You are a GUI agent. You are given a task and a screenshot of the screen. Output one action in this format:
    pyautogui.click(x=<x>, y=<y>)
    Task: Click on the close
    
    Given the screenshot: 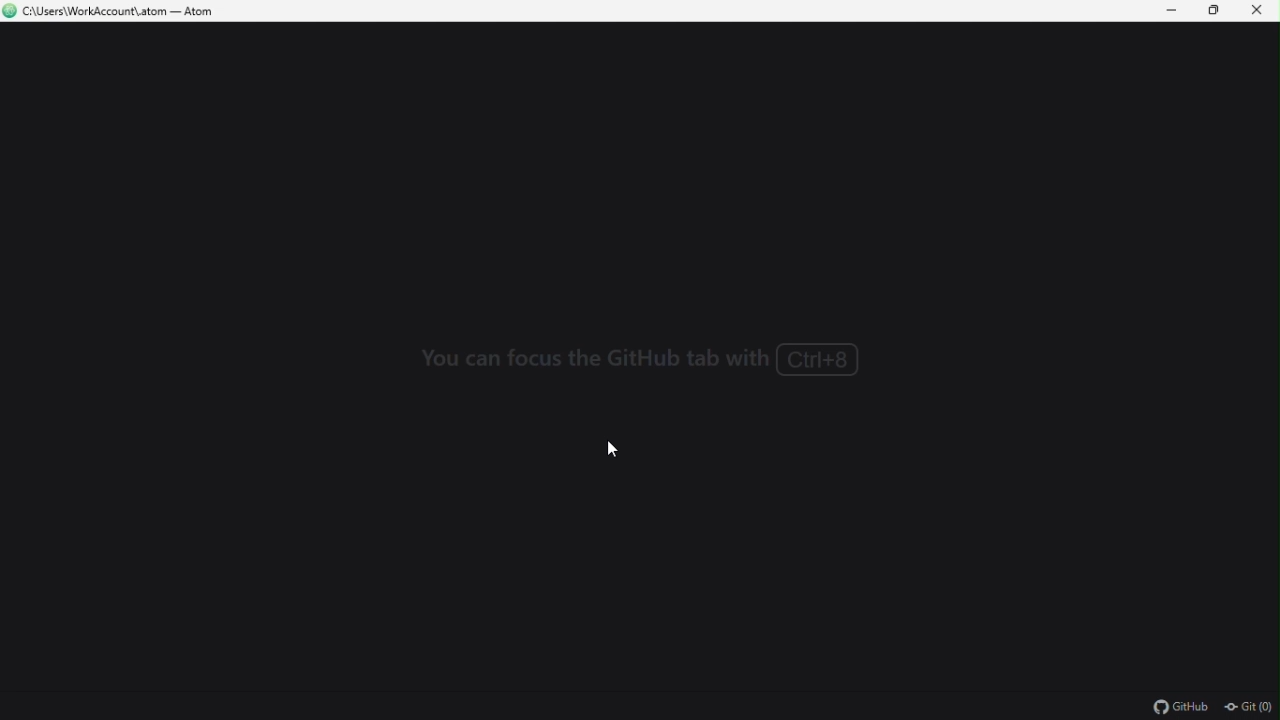 What is the action you would take?
    pyautogui.click(x=1258, y=11)
    